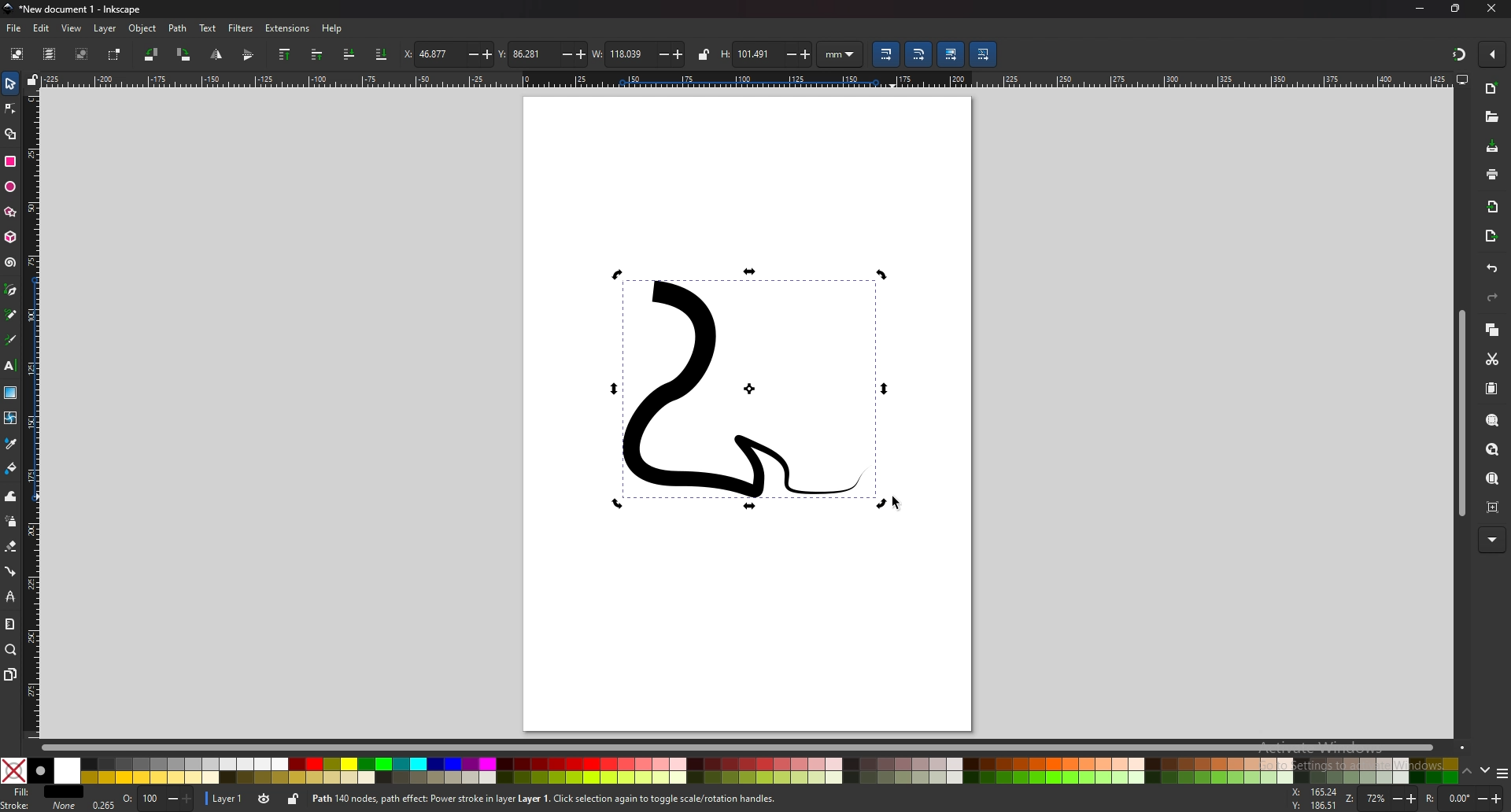  I want to click on ROTATION, so click(1467, 799).